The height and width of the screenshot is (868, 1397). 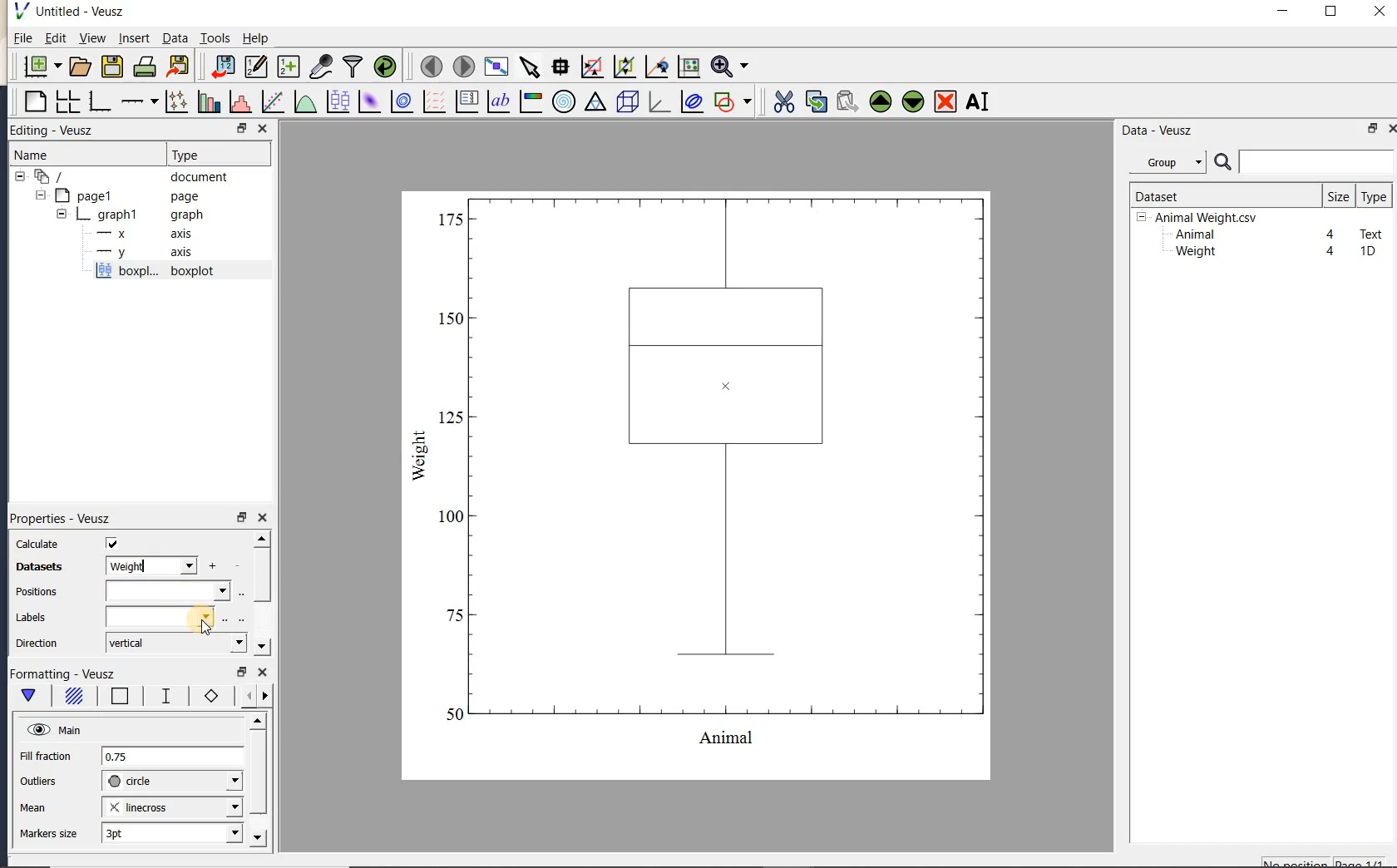 What do you see at coordinates (122, 215) in the screenshot?
I see `graph1` at bounding box center [122, 215].